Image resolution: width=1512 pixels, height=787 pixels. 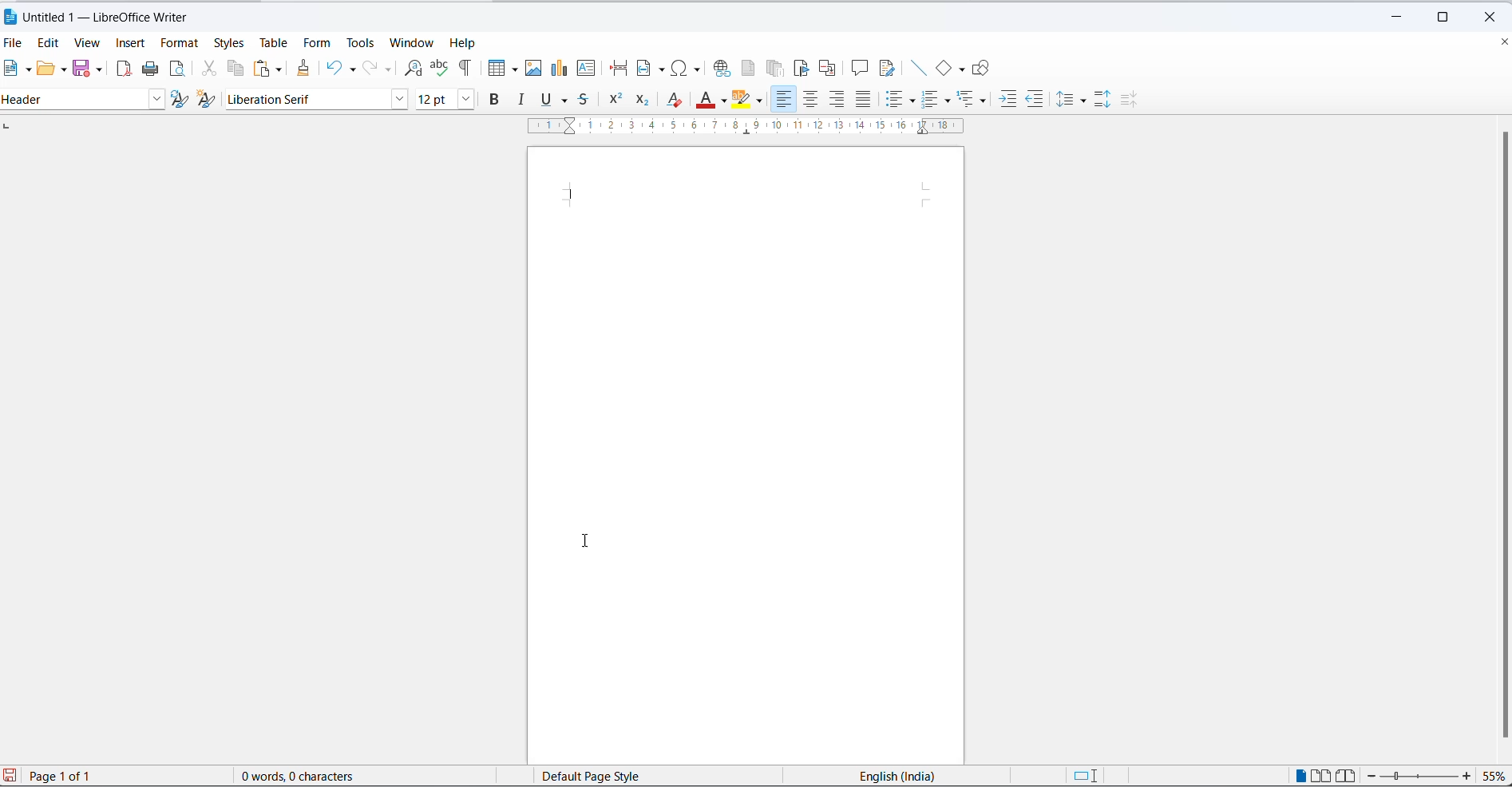 I want to click on text align left, so click(x=784, y=101).